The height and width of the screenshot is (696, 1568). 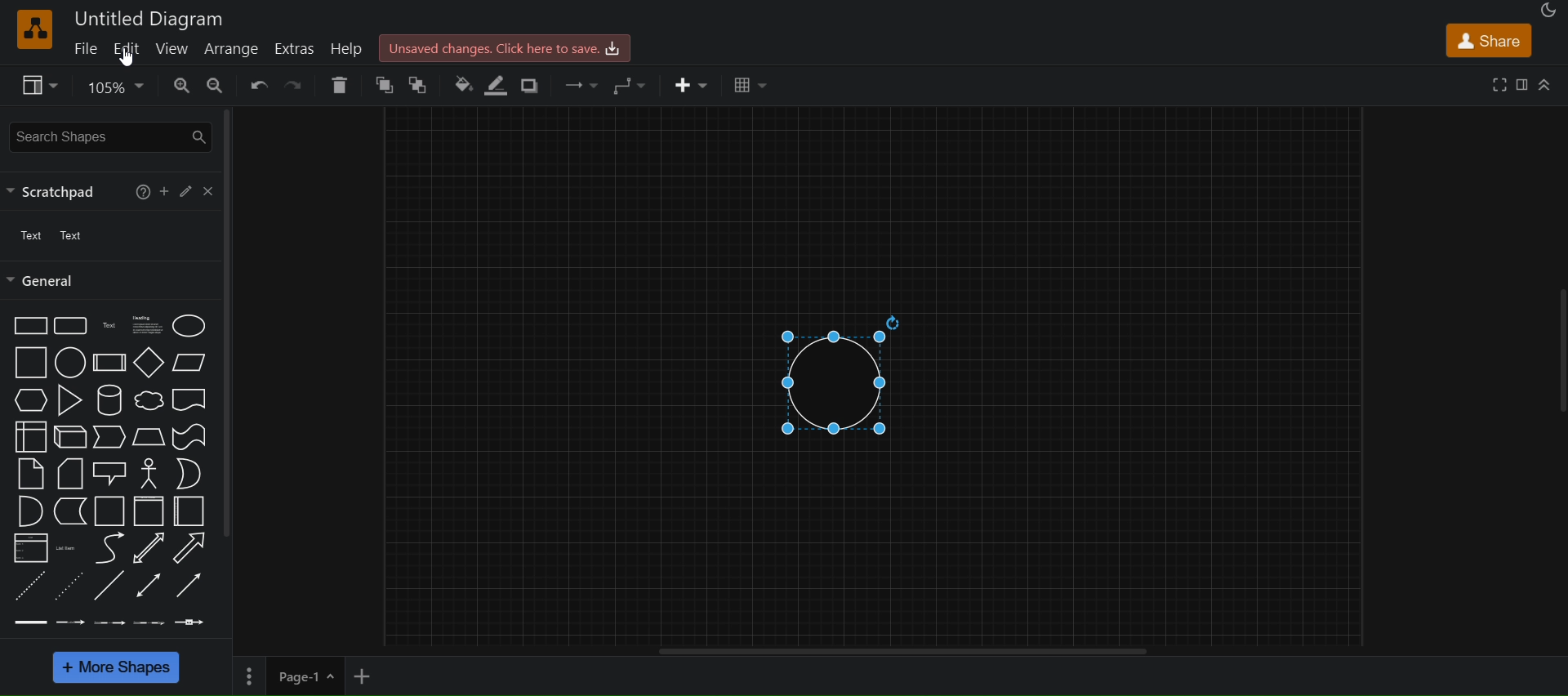 What do you see at coordinates (150, 549) in the screenshot?
I see `bidirectional arrow` at bounding box center [150, 549].